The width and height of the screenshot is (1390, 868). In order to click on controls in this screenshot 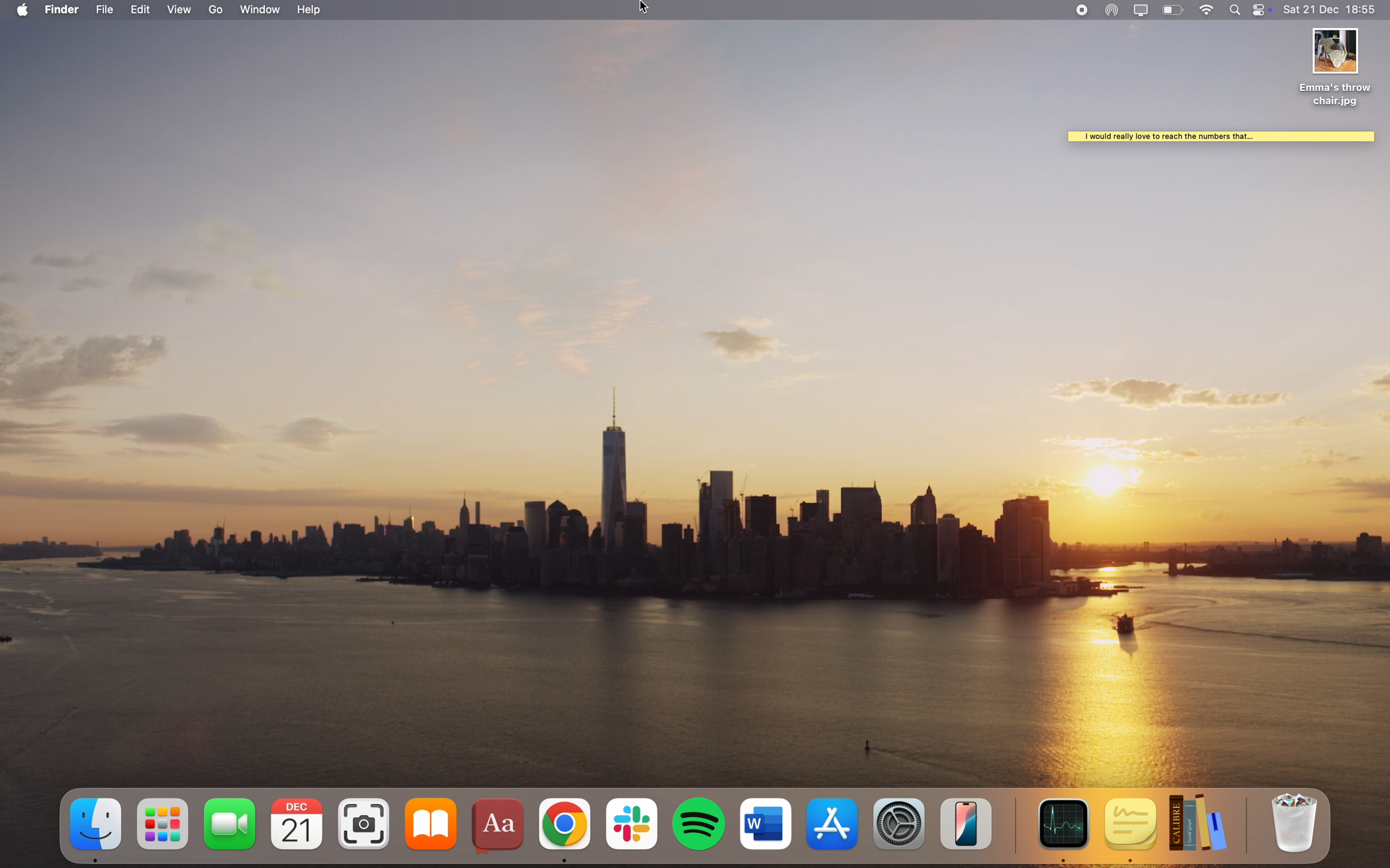, I will do `click(1265, 10)`.